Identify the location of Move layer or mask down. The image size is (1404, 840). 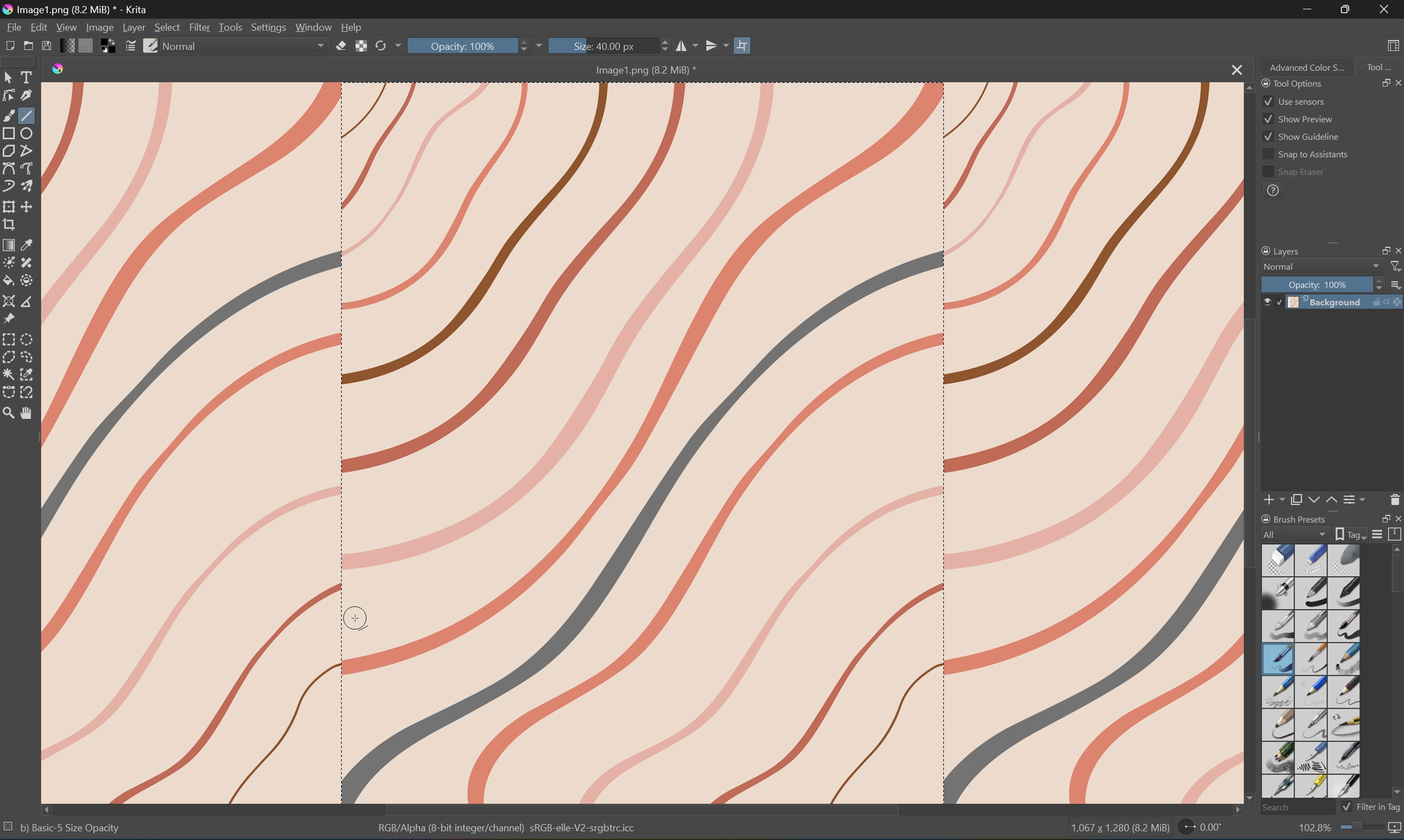
(1312, 499).